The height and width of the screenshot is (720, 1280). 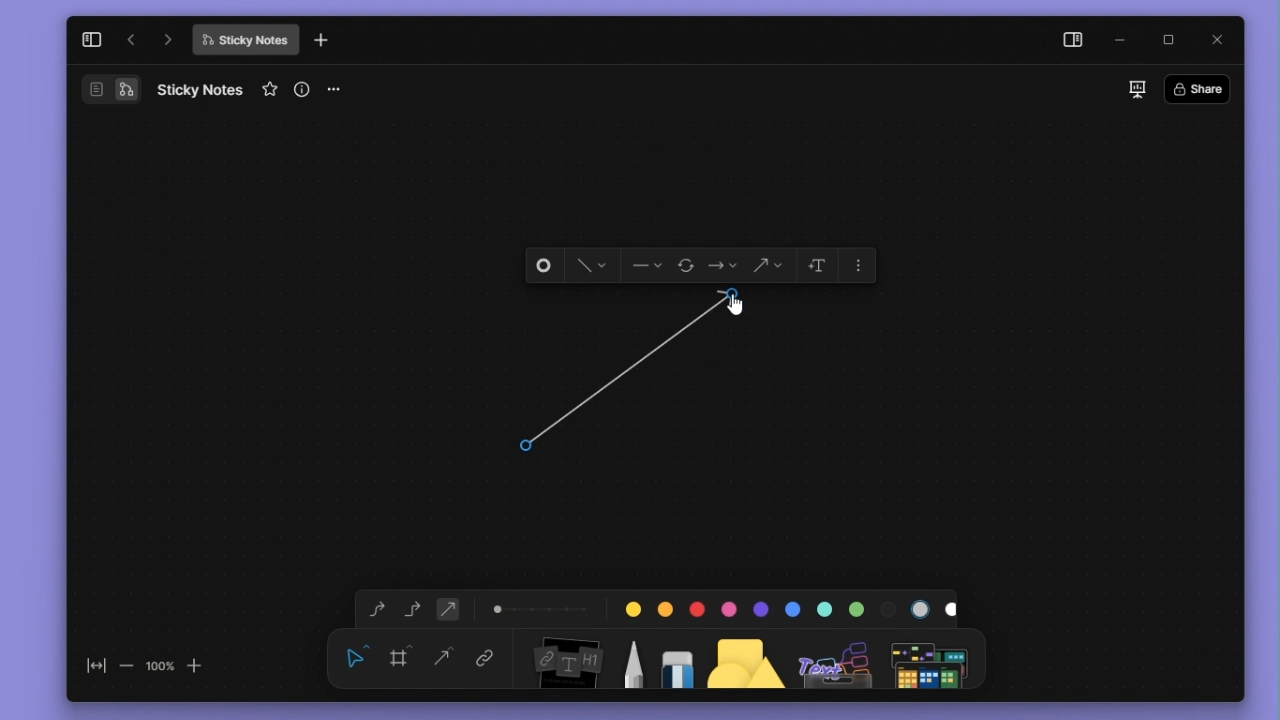 I want to click on zoom in, so click(x=196, y=664).